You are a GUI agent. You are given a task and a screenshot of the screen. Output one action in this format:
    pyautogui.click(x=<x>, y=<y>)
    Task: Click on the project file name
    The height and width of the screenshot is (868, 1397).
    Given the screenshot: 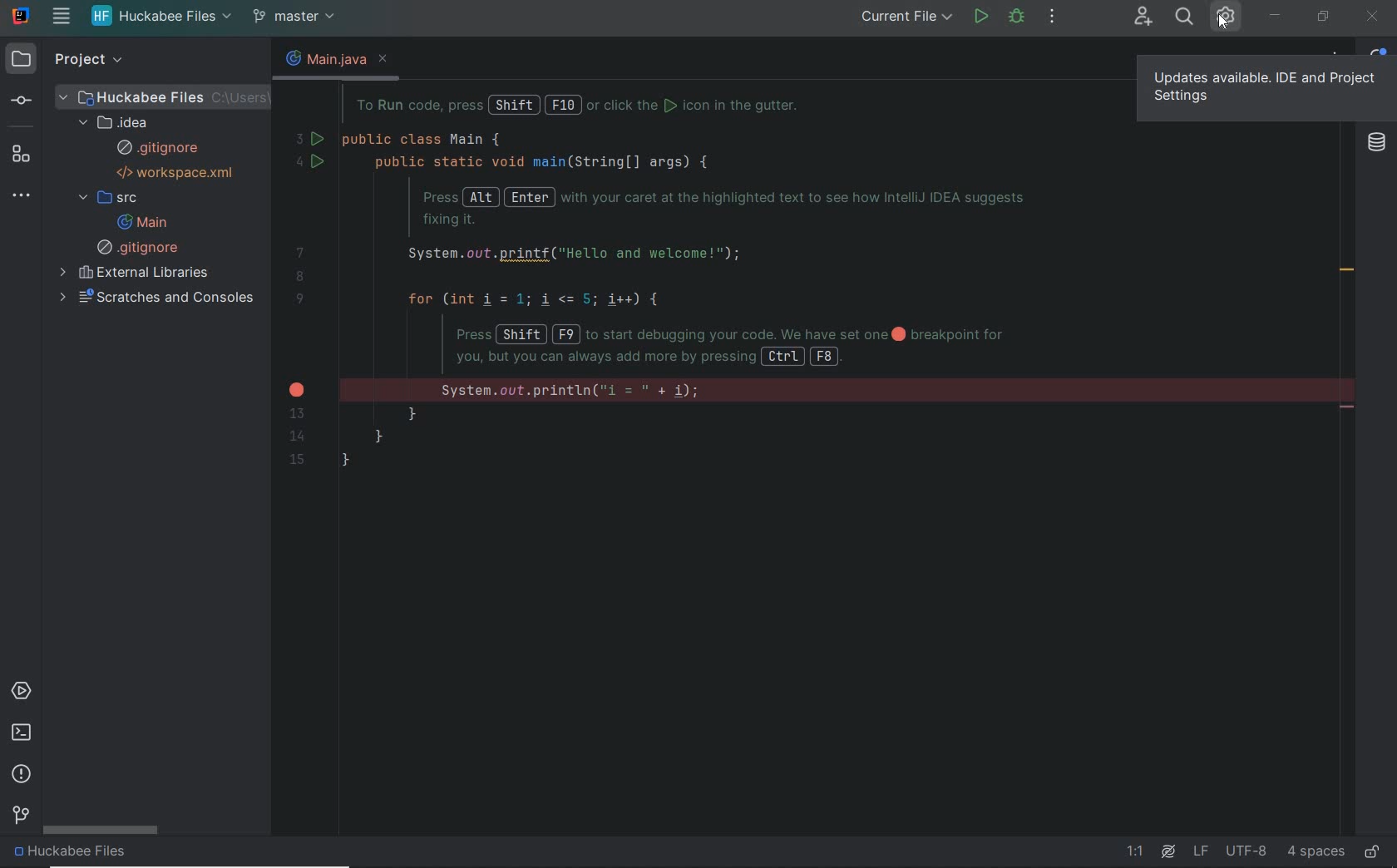 What is the action you would take?
    pyautogui.click(x=74, y=854)
    